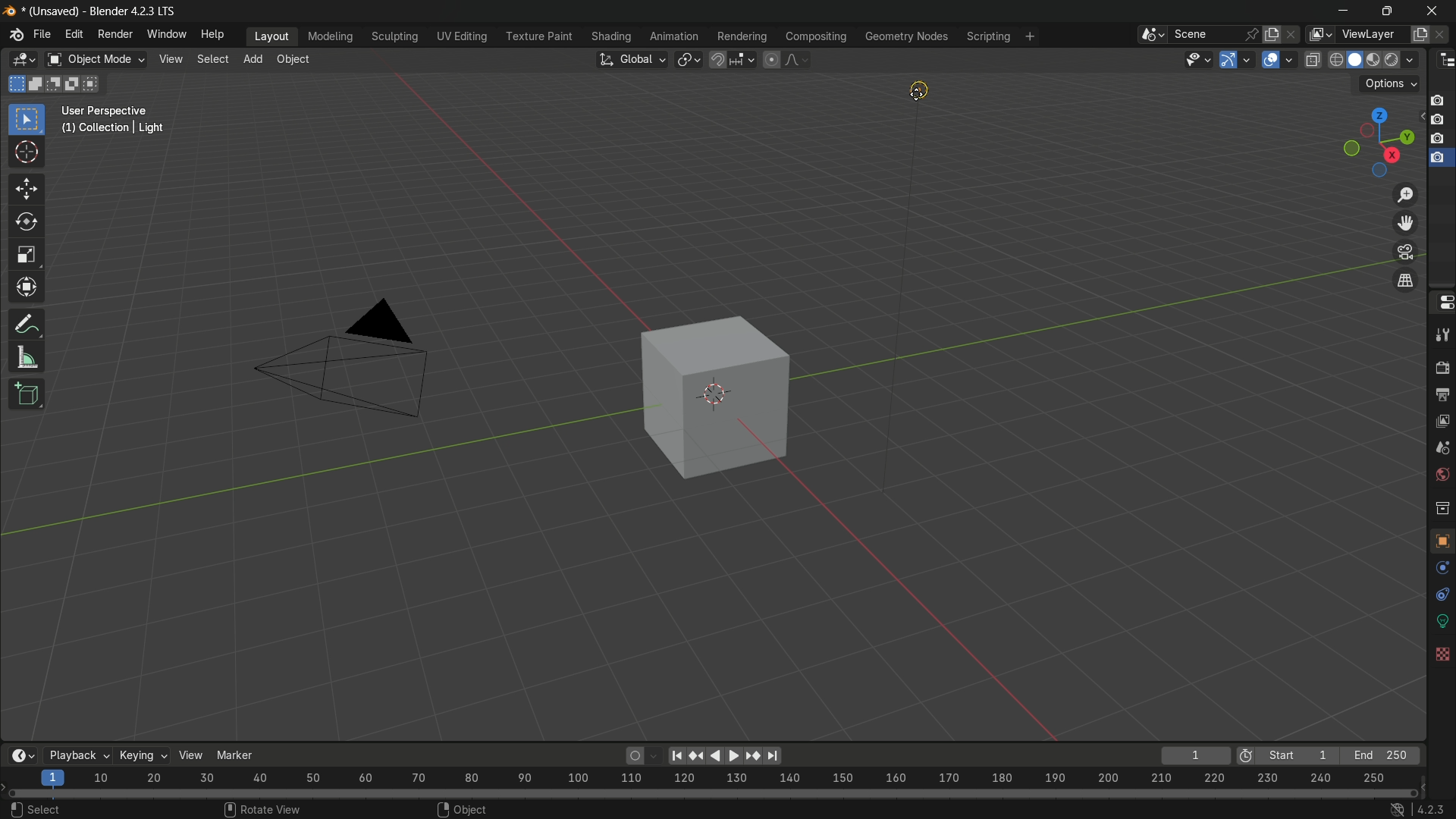 The width and height of the screenshot is (1456, 819). What do you see at coordinates (1402, 280) in the screenshot?
I see `switch current view` at bounding box center [1402, 280].